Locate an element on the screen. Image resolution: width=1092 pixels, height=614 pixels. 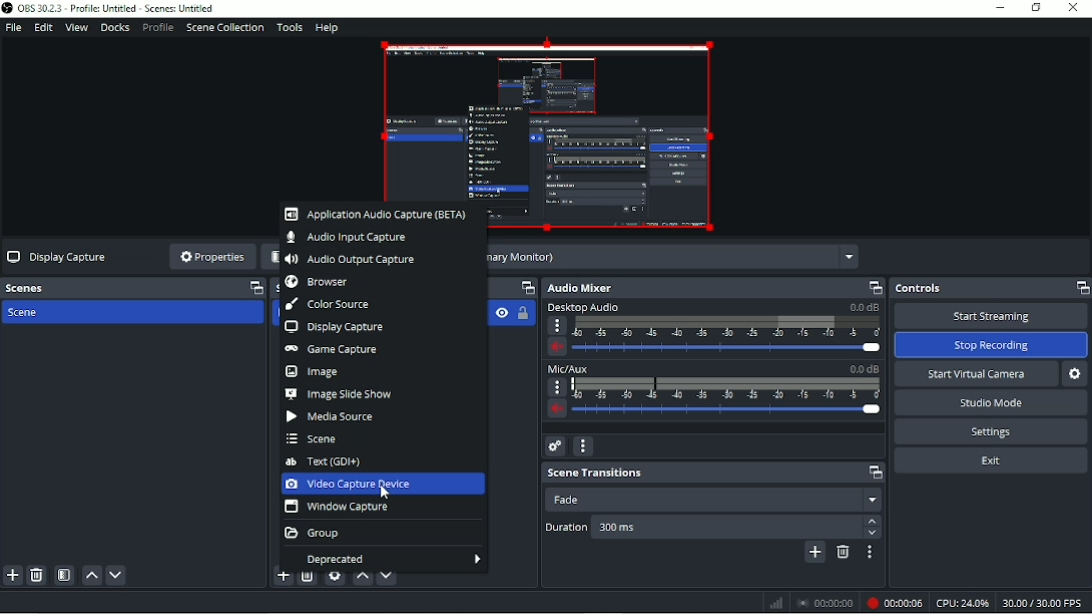
Profile is located at coordinates (158, 28).